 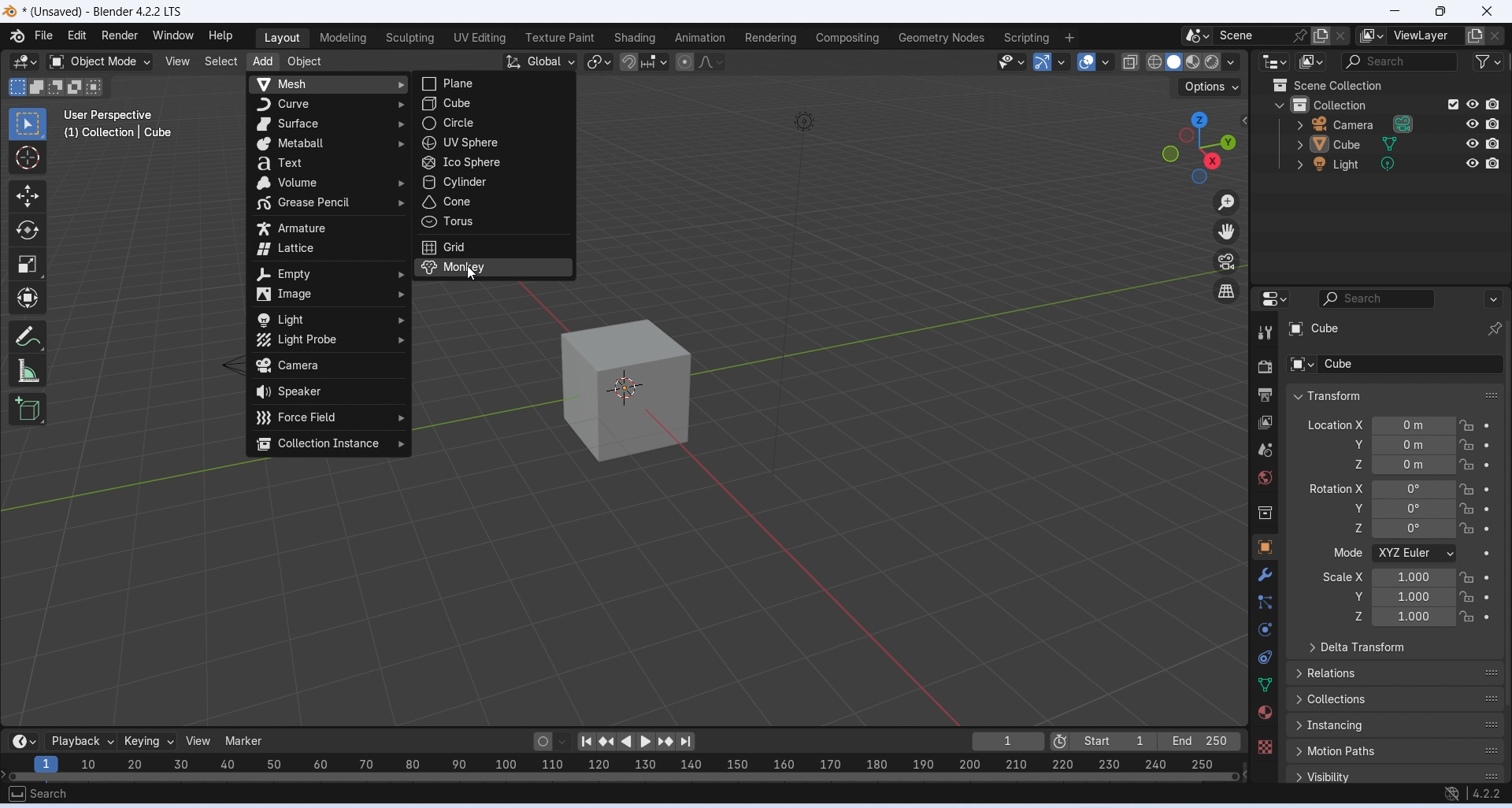 I want to click on Zoom in/out, so click(x=1226, y=204).